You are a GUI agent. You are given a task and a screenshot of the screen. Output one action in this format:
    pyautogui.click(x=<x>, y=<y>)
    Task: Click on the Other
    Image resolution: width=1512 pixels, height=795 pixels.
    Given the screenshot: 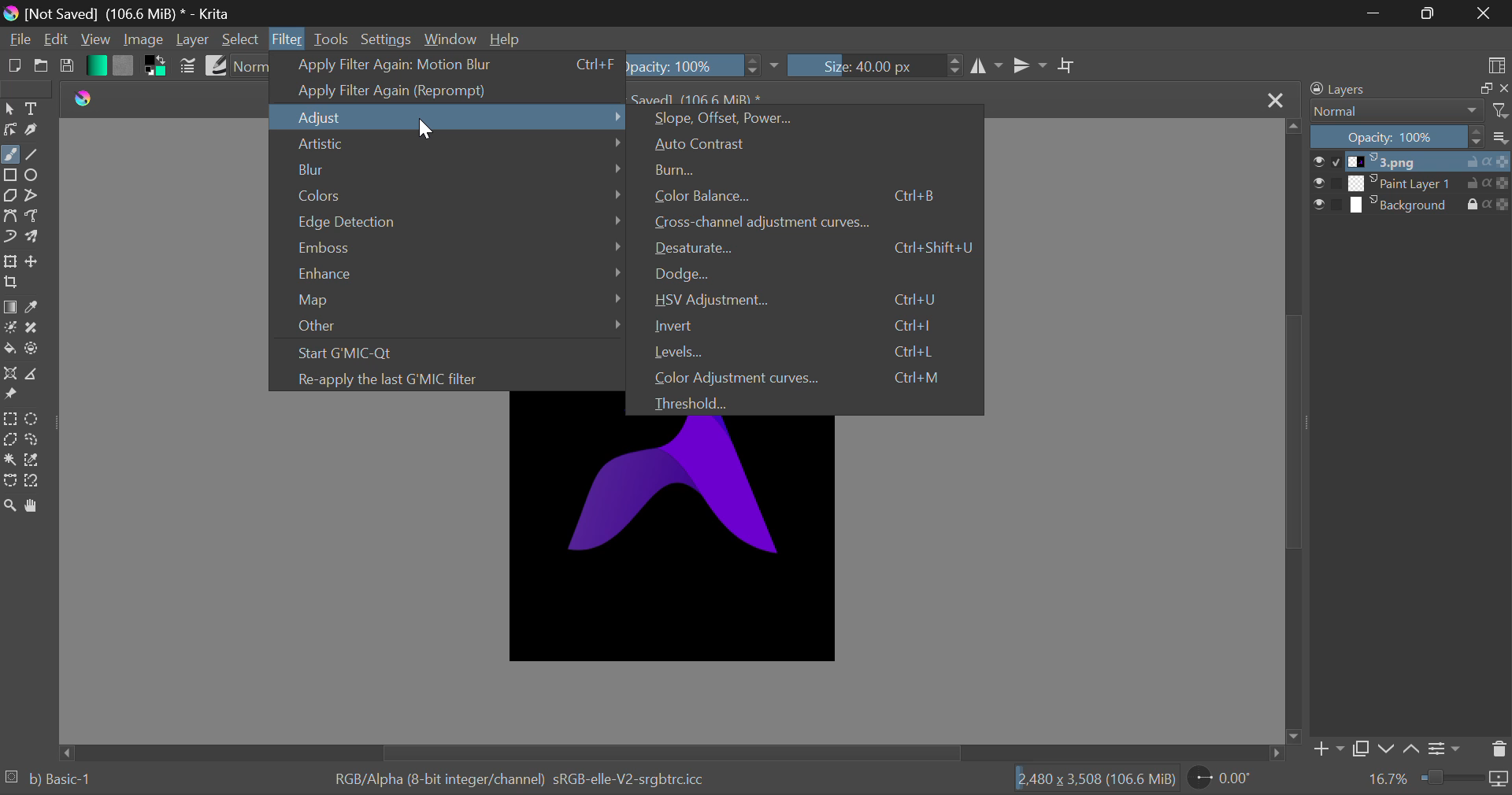 What is the action you would take?
    pyautogui.click(x=457, y=327)
    